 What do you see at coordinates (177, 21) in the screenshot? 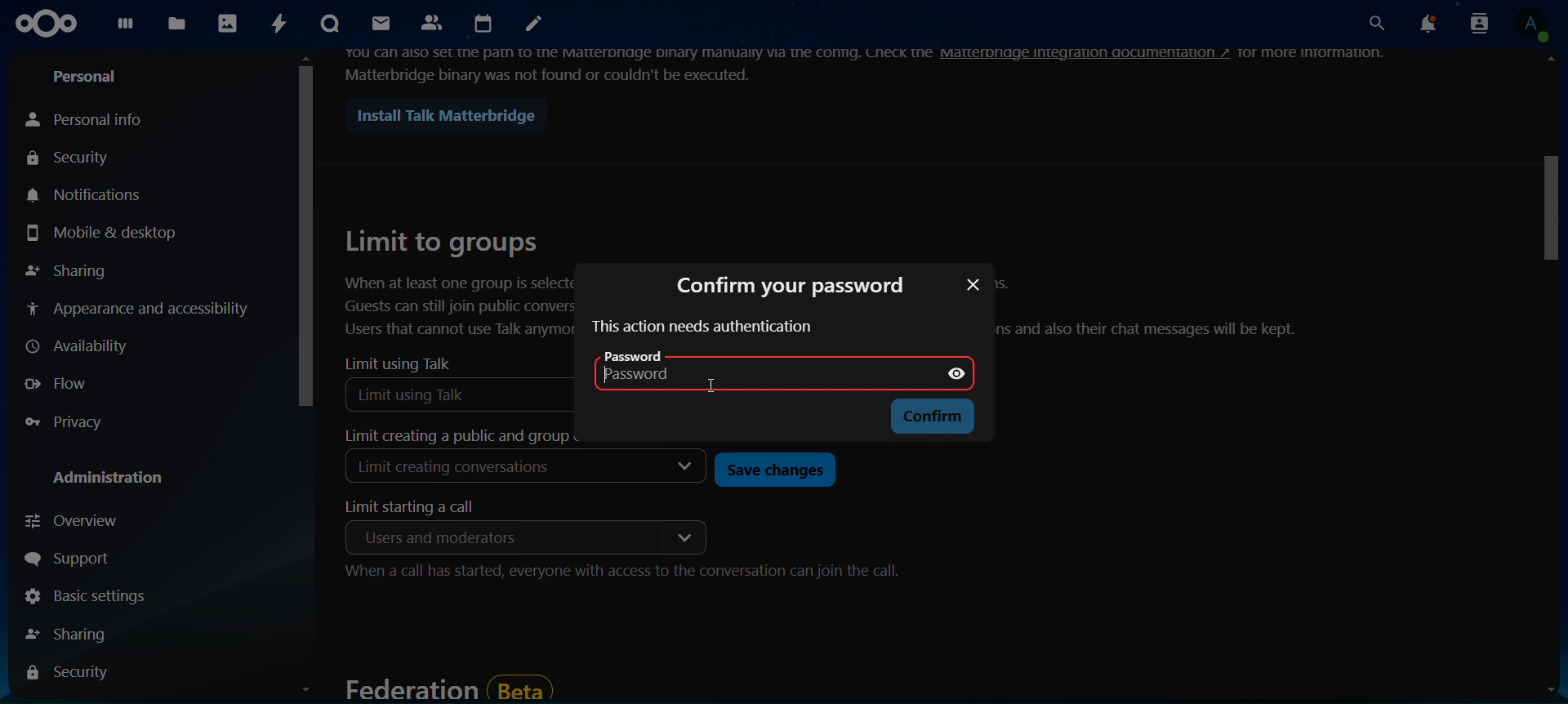
I see `files` at bounding box center [177, 21].